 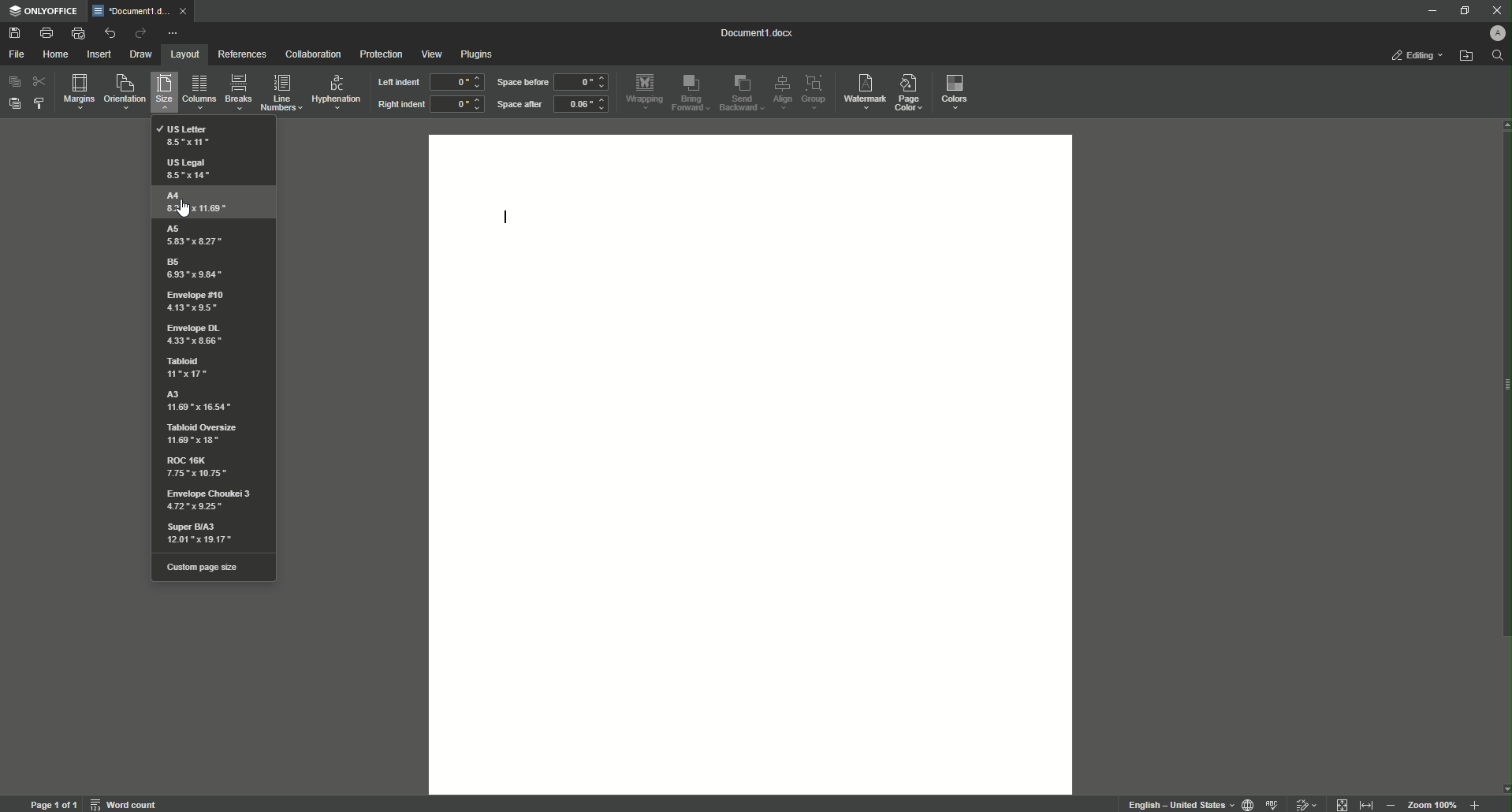 What do you see at coordinates (196, 334) in the screenshot?
I see `Envelope DL` at bounding box center [196, 334].